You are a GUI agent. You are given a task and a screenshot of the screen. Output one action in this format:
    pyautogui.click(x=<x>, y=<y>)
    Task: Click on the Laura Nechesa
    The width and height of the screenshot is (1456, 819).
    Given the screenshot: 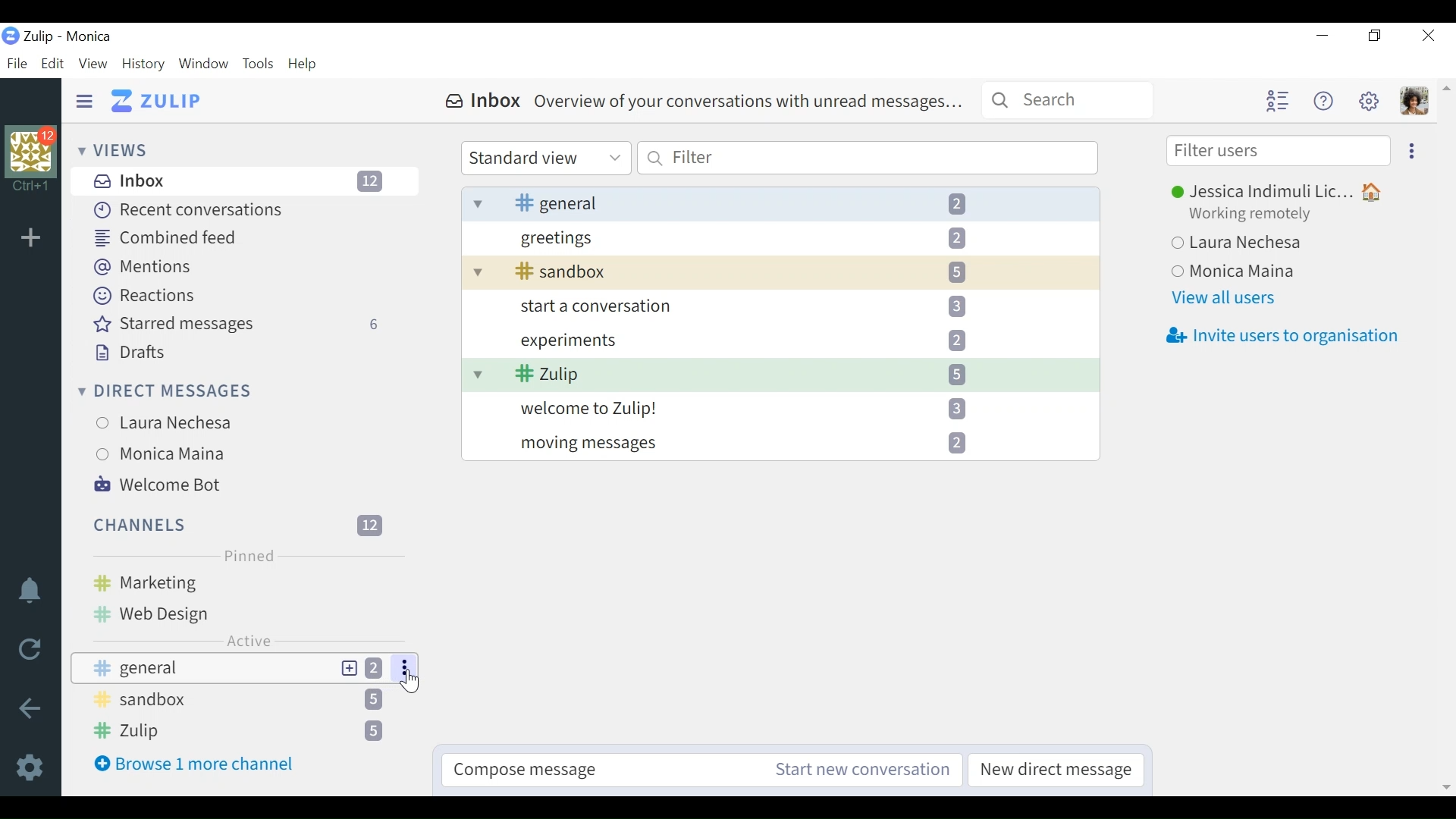 What is the action you would take?
    pyautogui.click(x=1276, y=245)
    